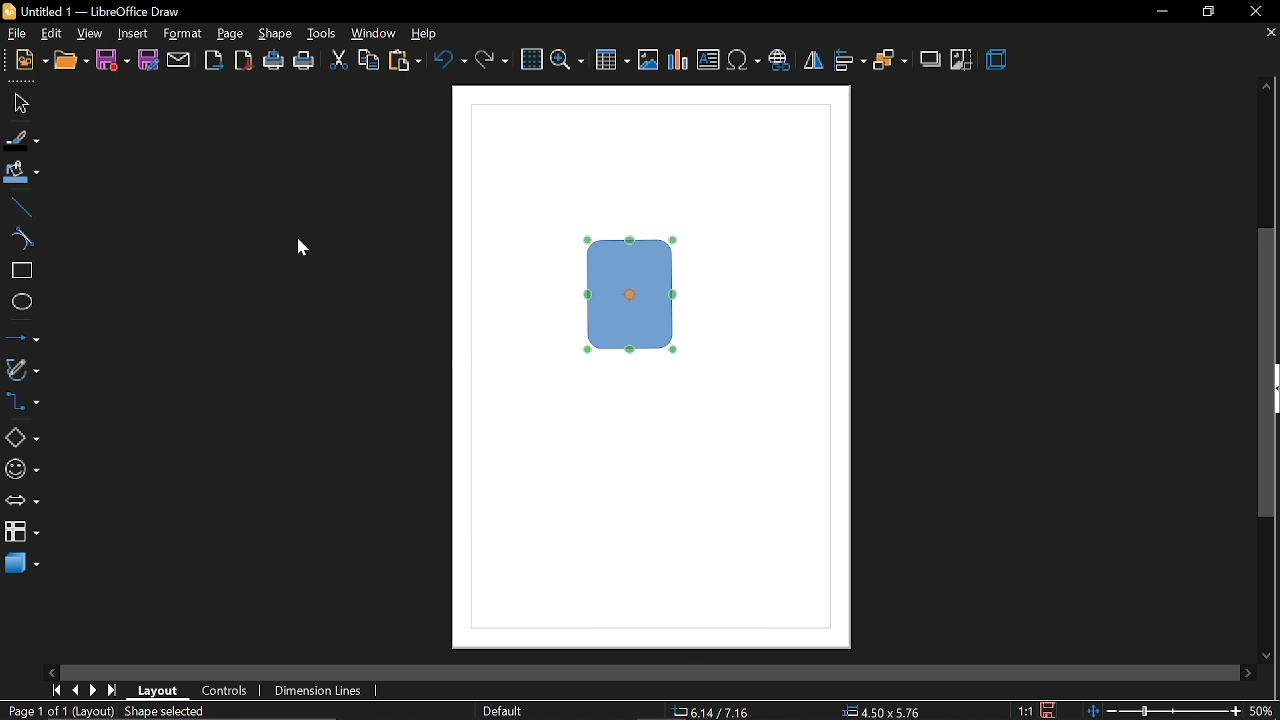  Describe the element at coordinates (404, 62) in the screenshot. I see `paste` at that location.